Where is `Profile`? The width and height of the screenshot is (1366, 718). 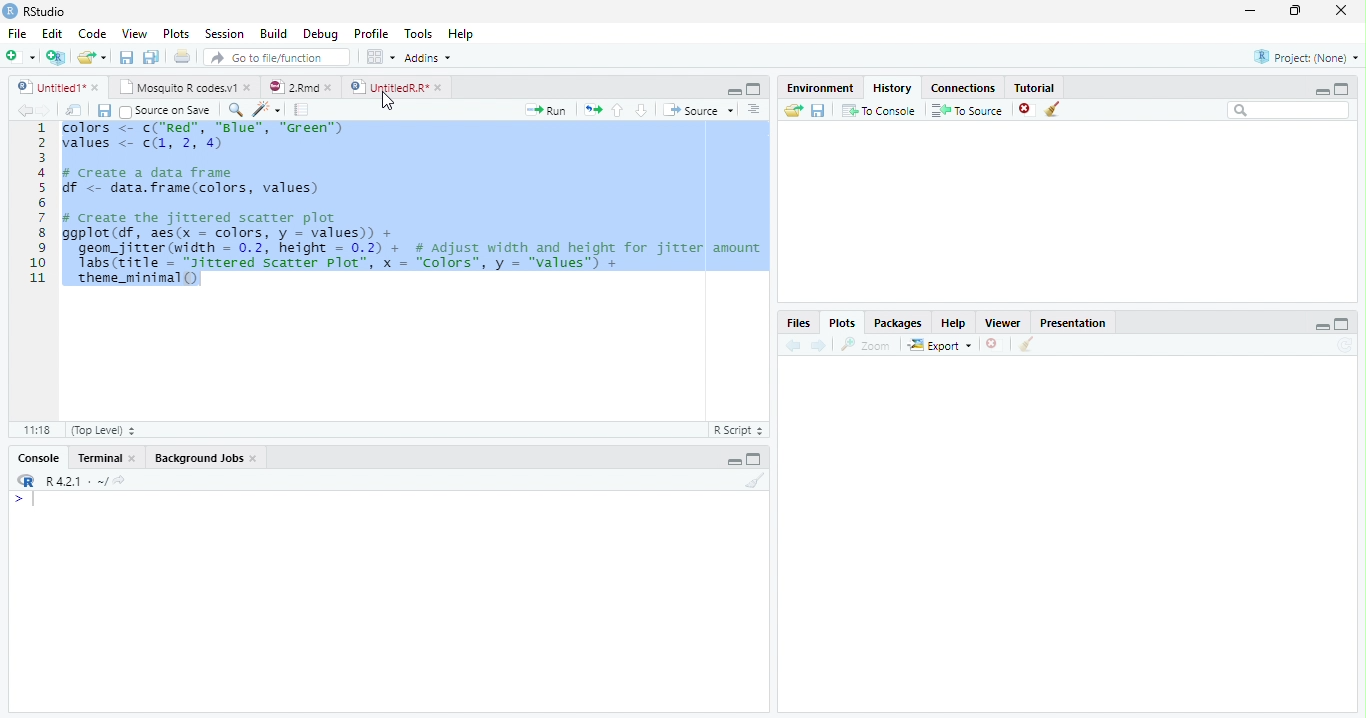 Profile is located at coordinates (372, 33).